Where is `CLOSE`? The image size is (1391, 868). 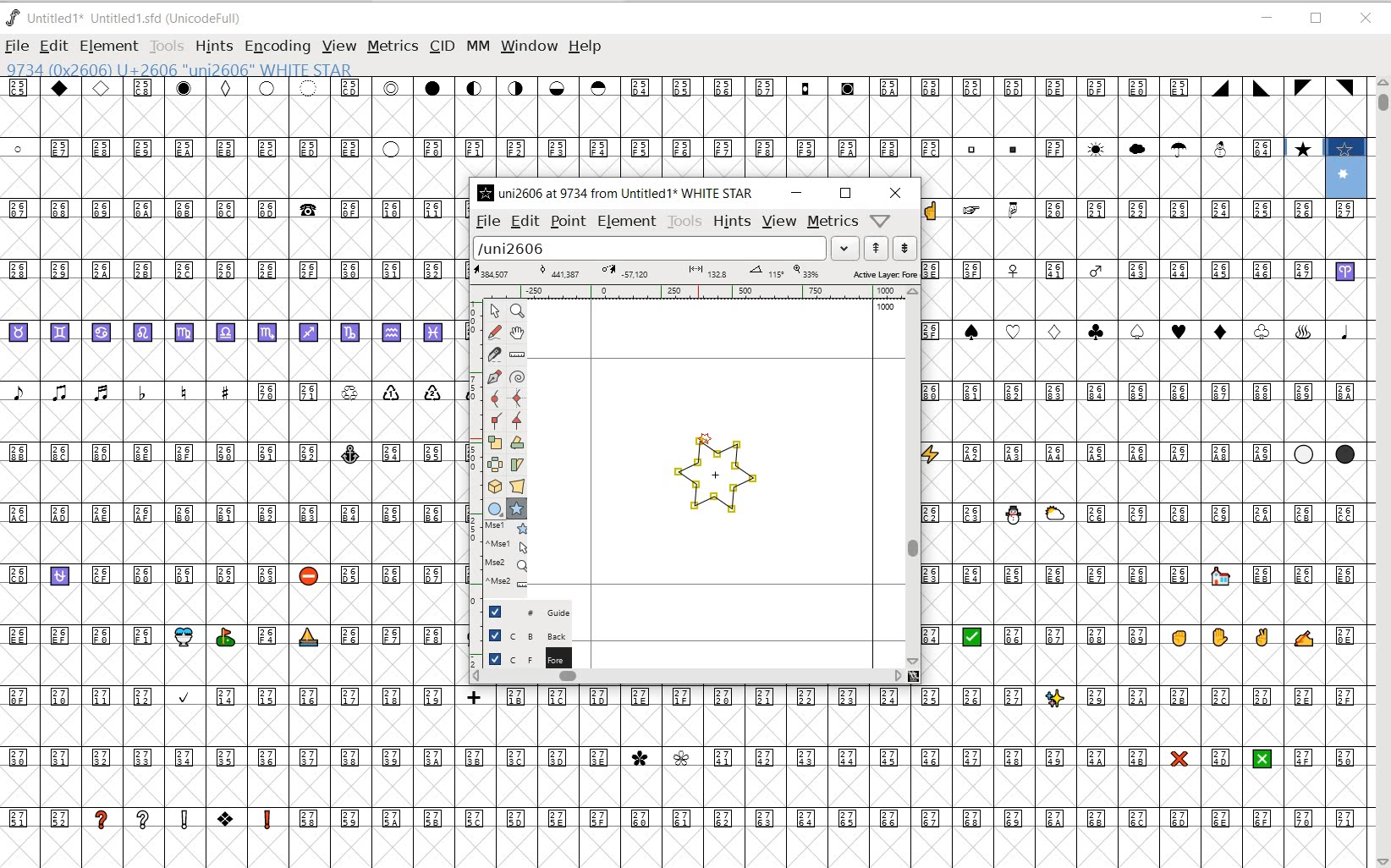
CLOSE is located at coordinates (895, 193).